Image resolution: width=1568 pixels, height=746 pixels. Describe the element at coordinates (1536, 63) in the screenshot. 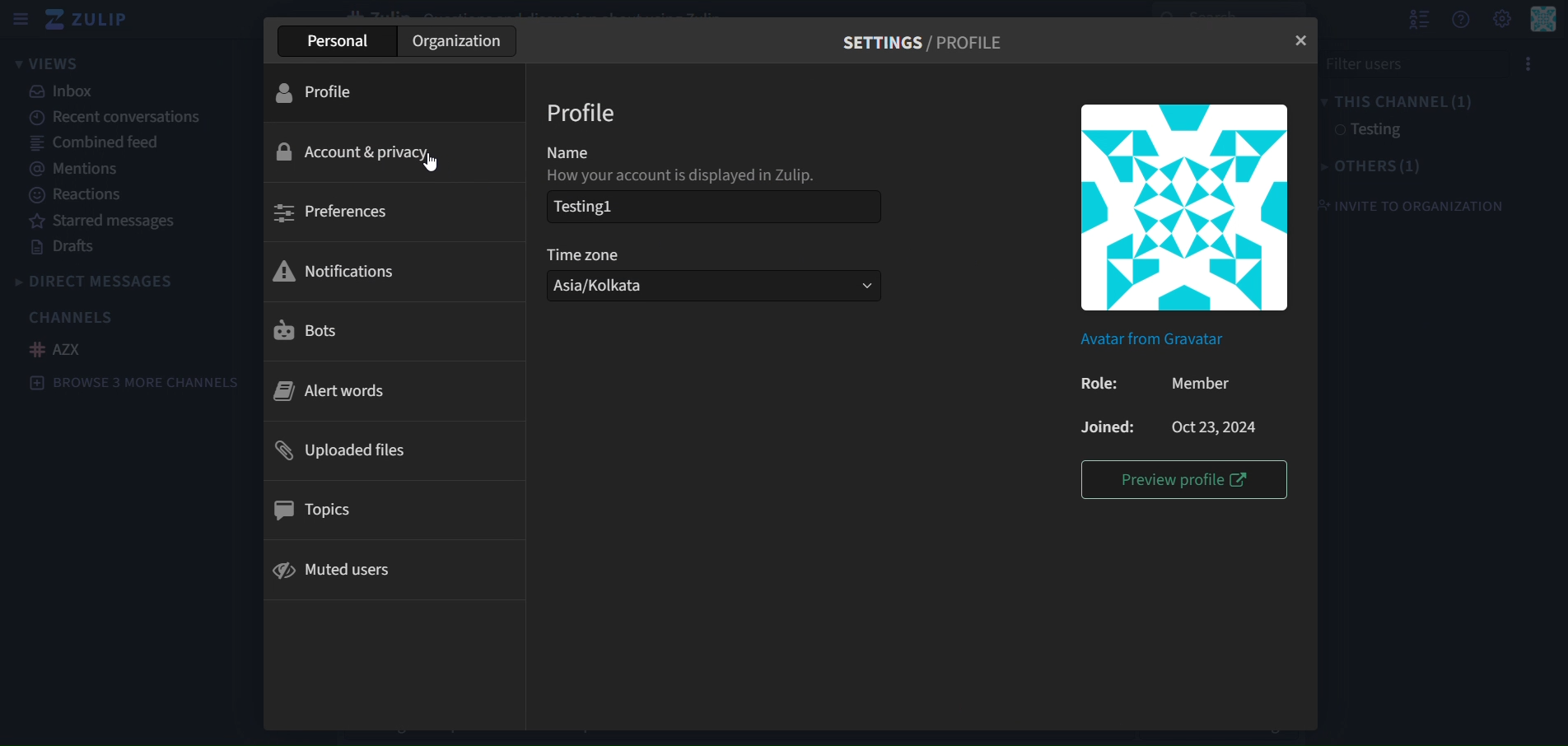

I see `menu` at that location.